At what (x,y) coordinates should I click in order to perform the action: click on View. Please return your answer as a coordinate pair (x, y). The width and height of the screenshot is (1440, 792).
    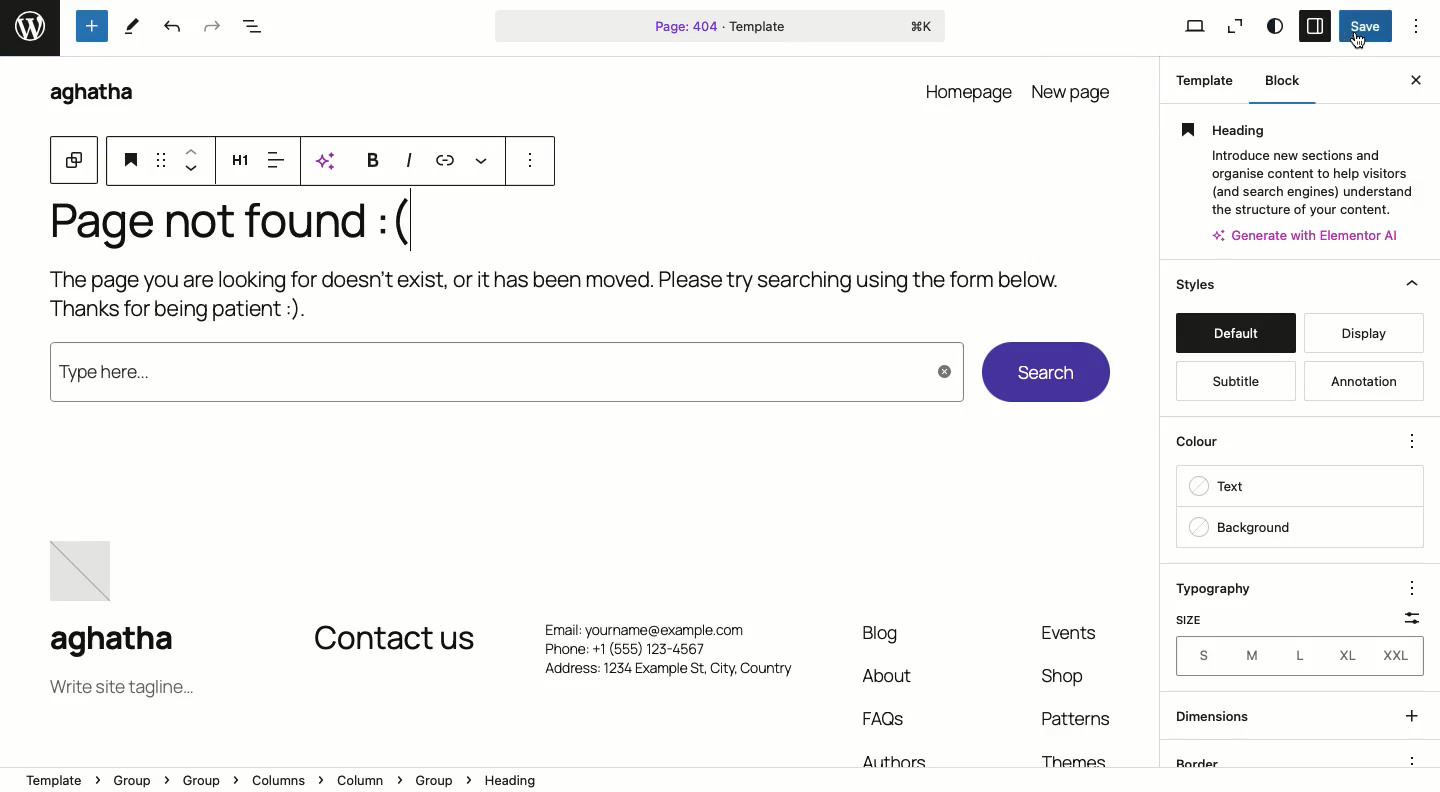
    Looking at the image, I should click on (1184, 25).